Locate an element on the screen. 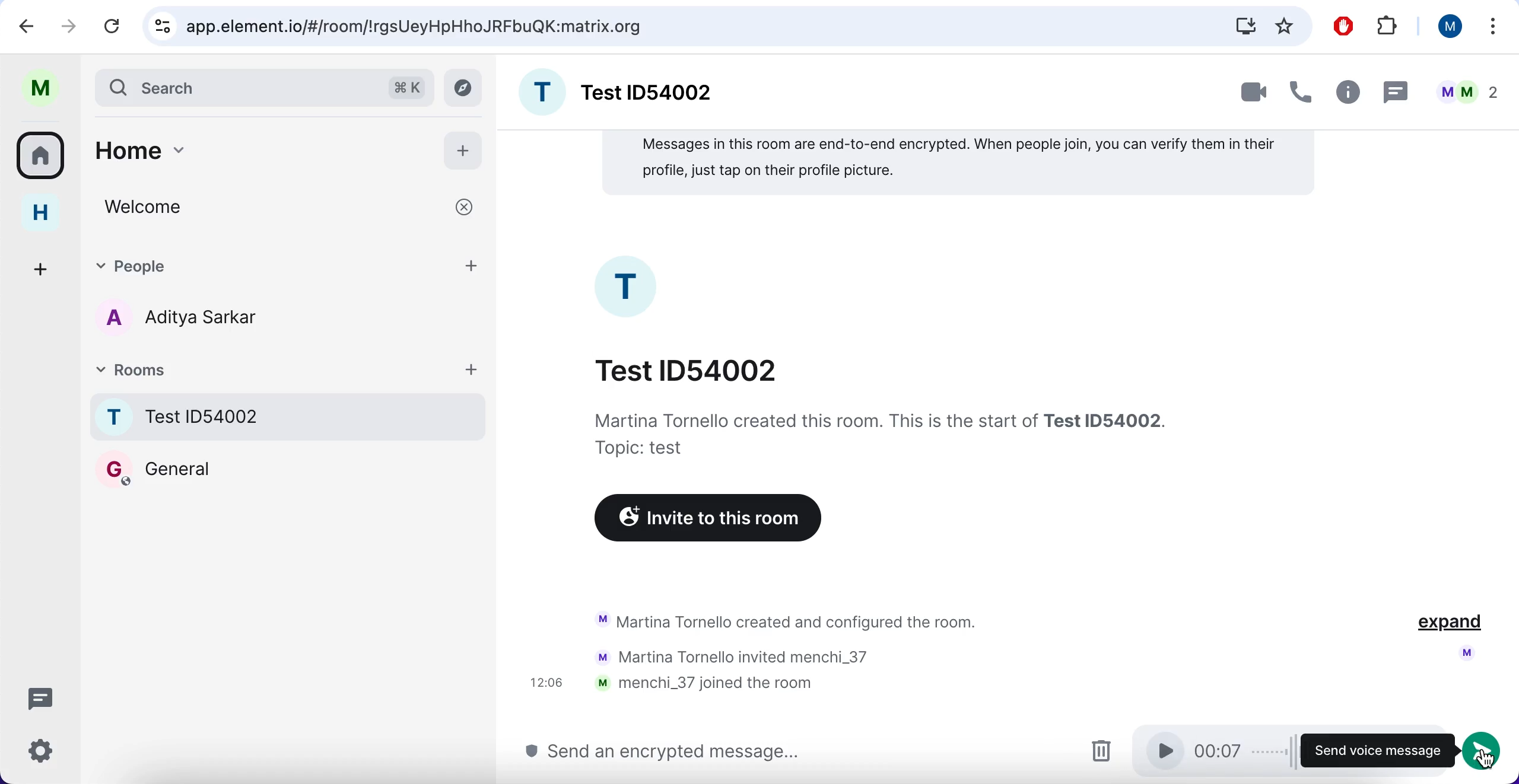 The image size is (1519, 784). install Matrix is located at coordinates (1245, 26).